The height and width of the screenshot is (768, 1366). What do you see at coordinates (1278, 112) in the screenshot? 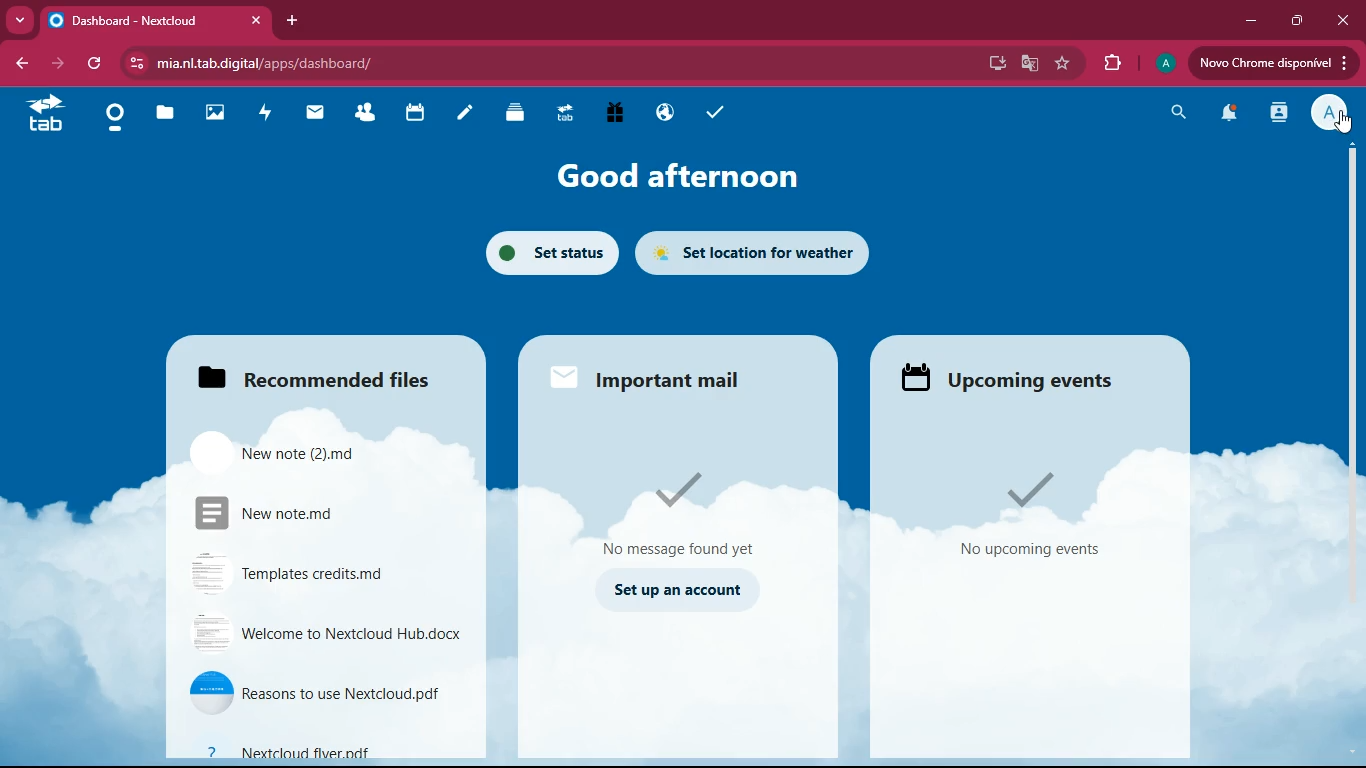
I see `activity` at bounding box center [1278, 112].